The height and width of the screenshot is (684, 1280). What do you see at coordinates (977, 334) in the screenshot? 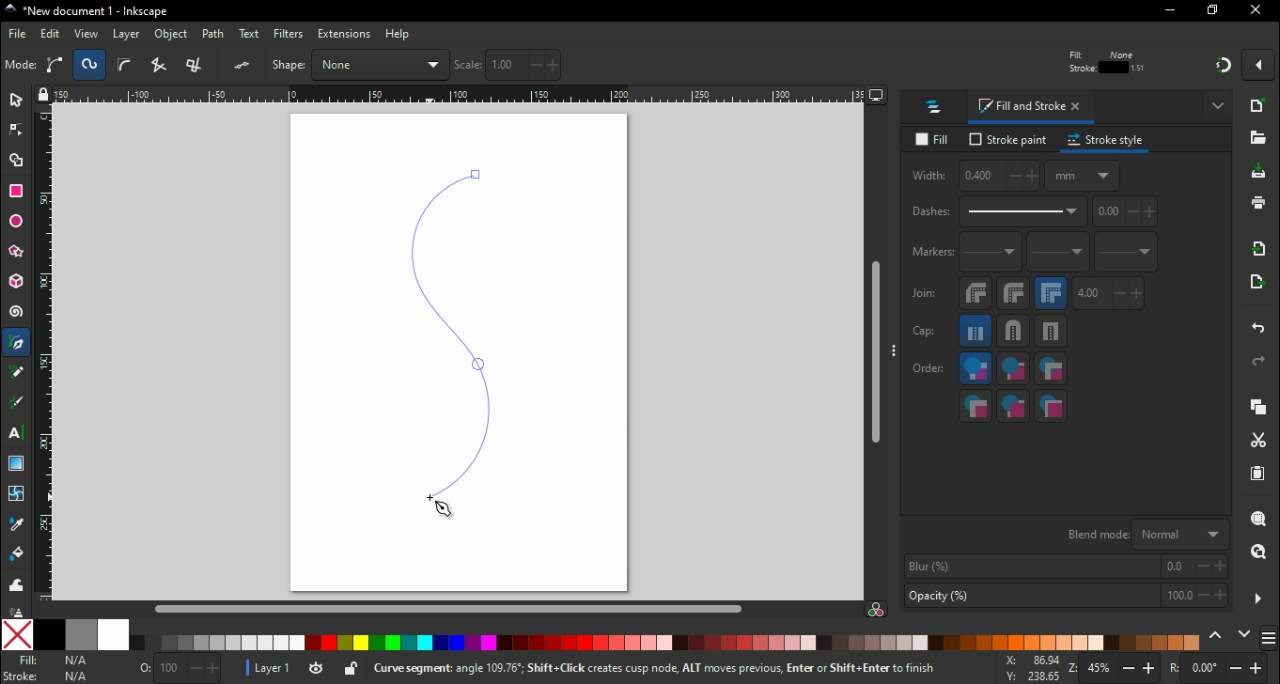
I see `butt` at bounding box center [977, 334].